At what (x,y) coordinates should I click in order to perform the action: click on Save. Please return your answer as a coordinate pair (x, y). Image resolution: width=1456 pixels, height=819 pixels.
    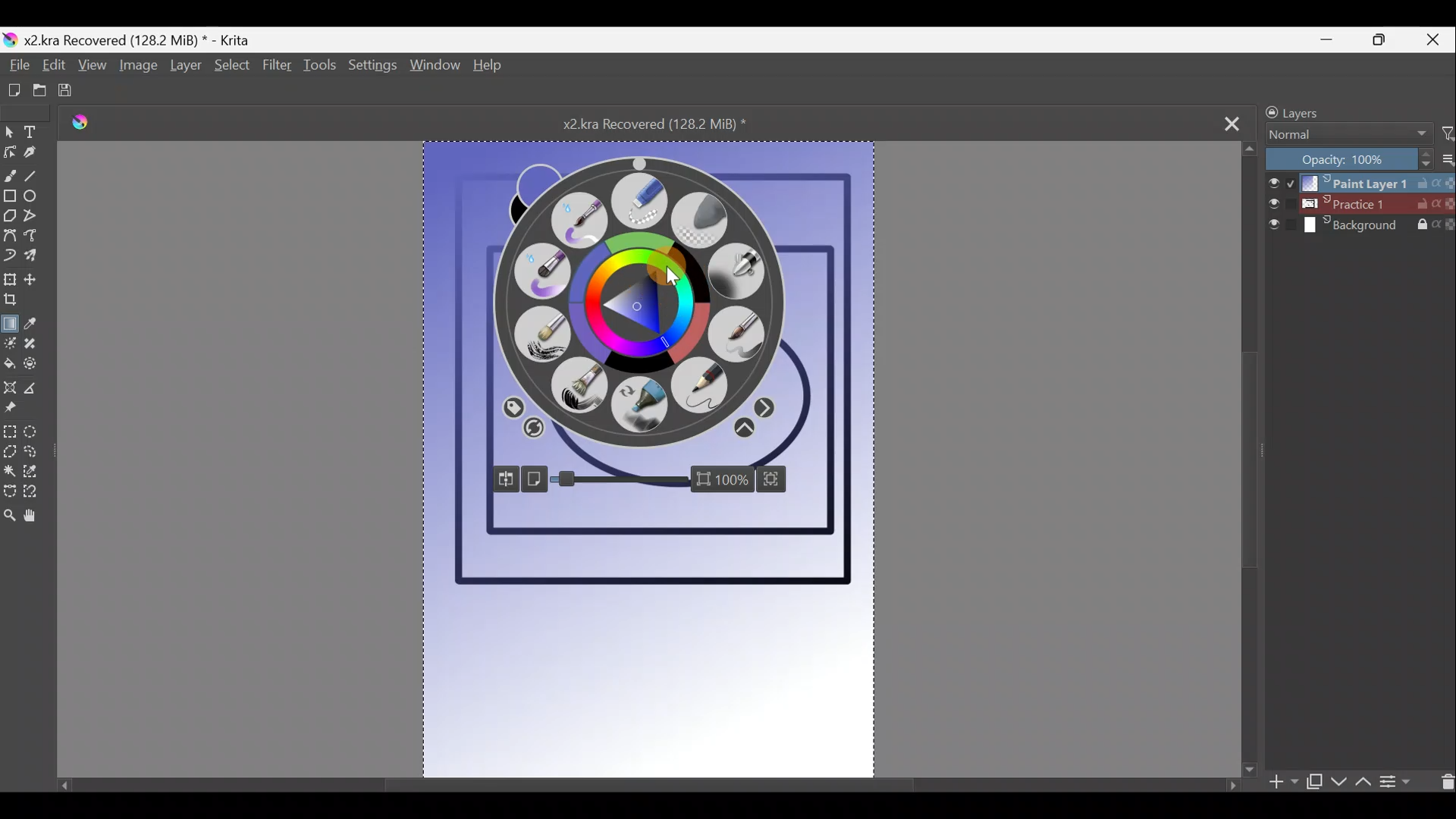
    Looking at the image, I should click on (72, 92).